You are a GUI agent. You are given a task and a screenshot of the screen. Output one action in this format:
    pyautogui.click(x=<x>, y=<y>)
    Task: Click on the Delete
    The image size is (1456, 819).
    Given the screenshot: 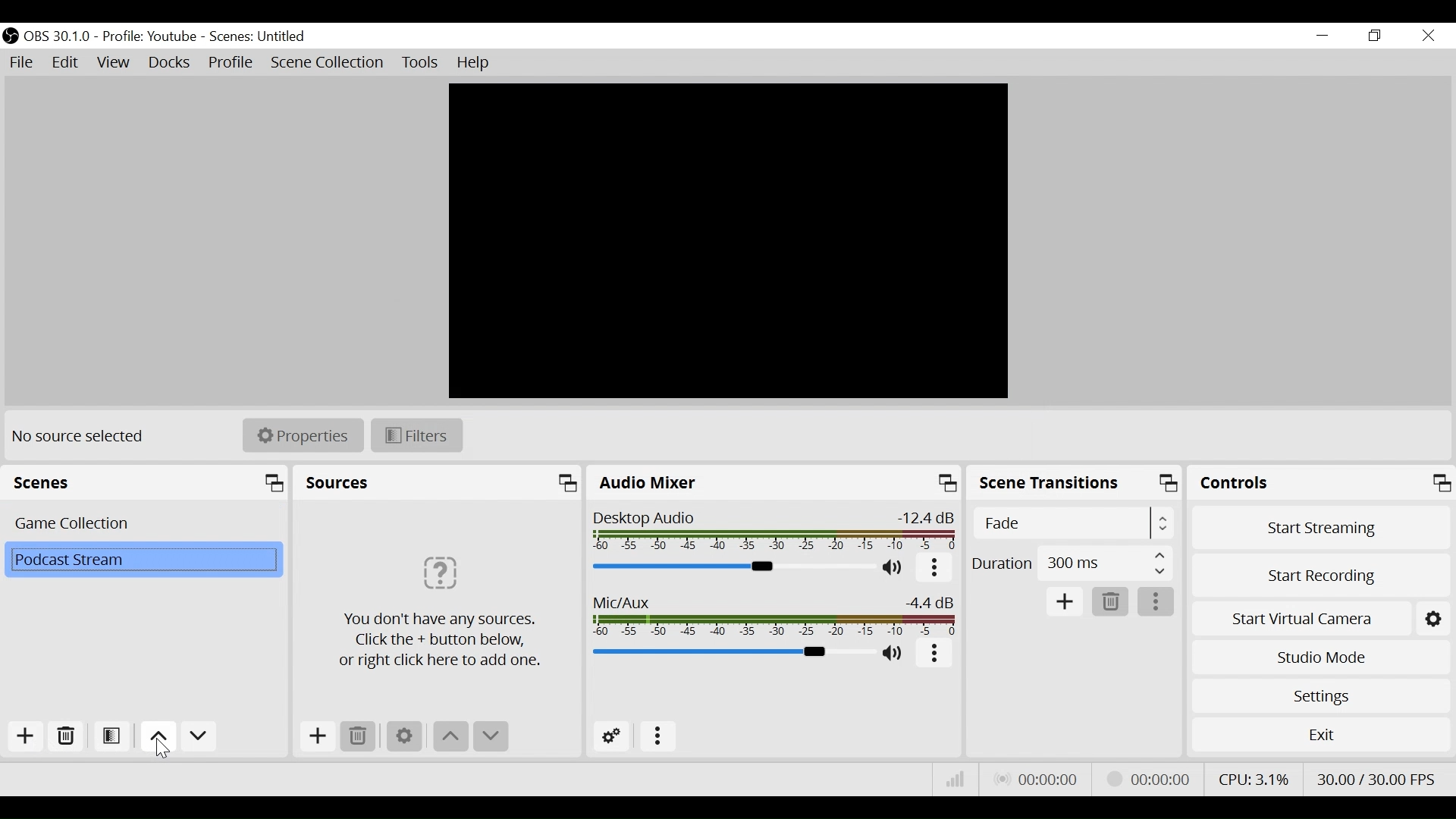 What is the action you would take?
    pyautogui.click(x=67, y=736)
    